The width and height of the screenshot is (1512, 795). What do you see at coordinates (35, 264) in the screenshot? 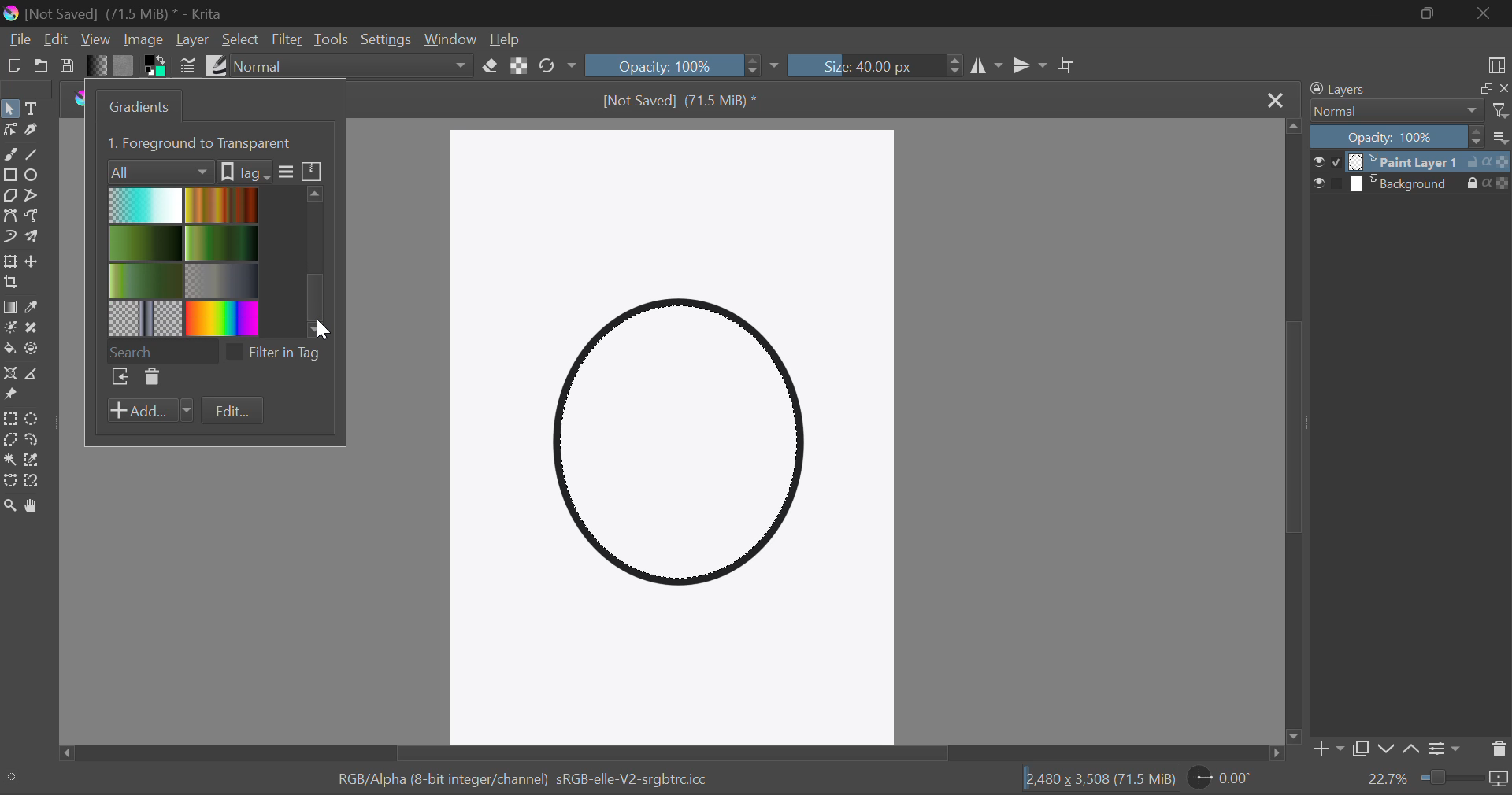
I see `Move Layers` at bounding box center [35, 264].